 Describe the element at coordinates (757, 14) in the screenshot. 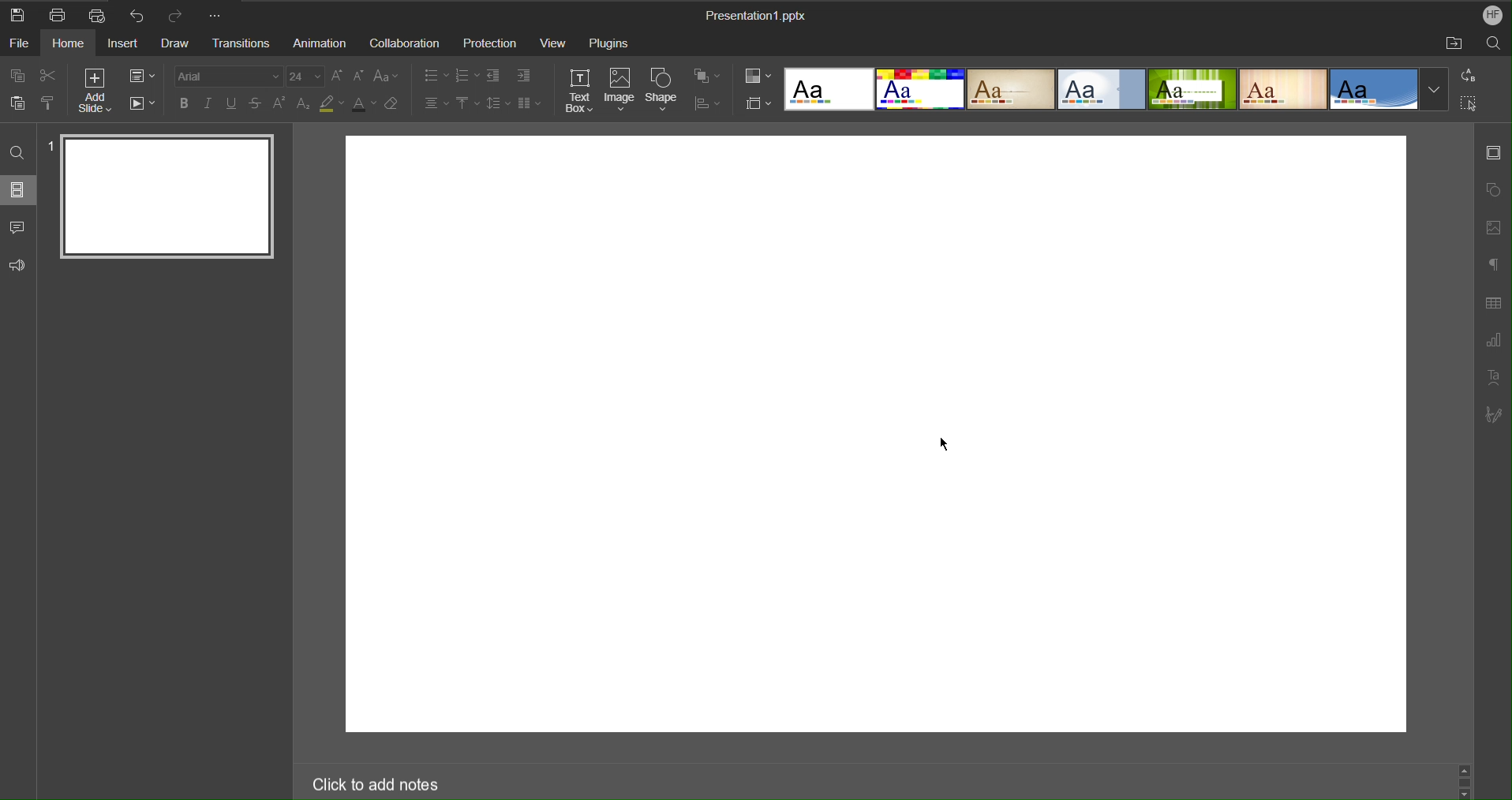

I see `Presentation Title` at that location.